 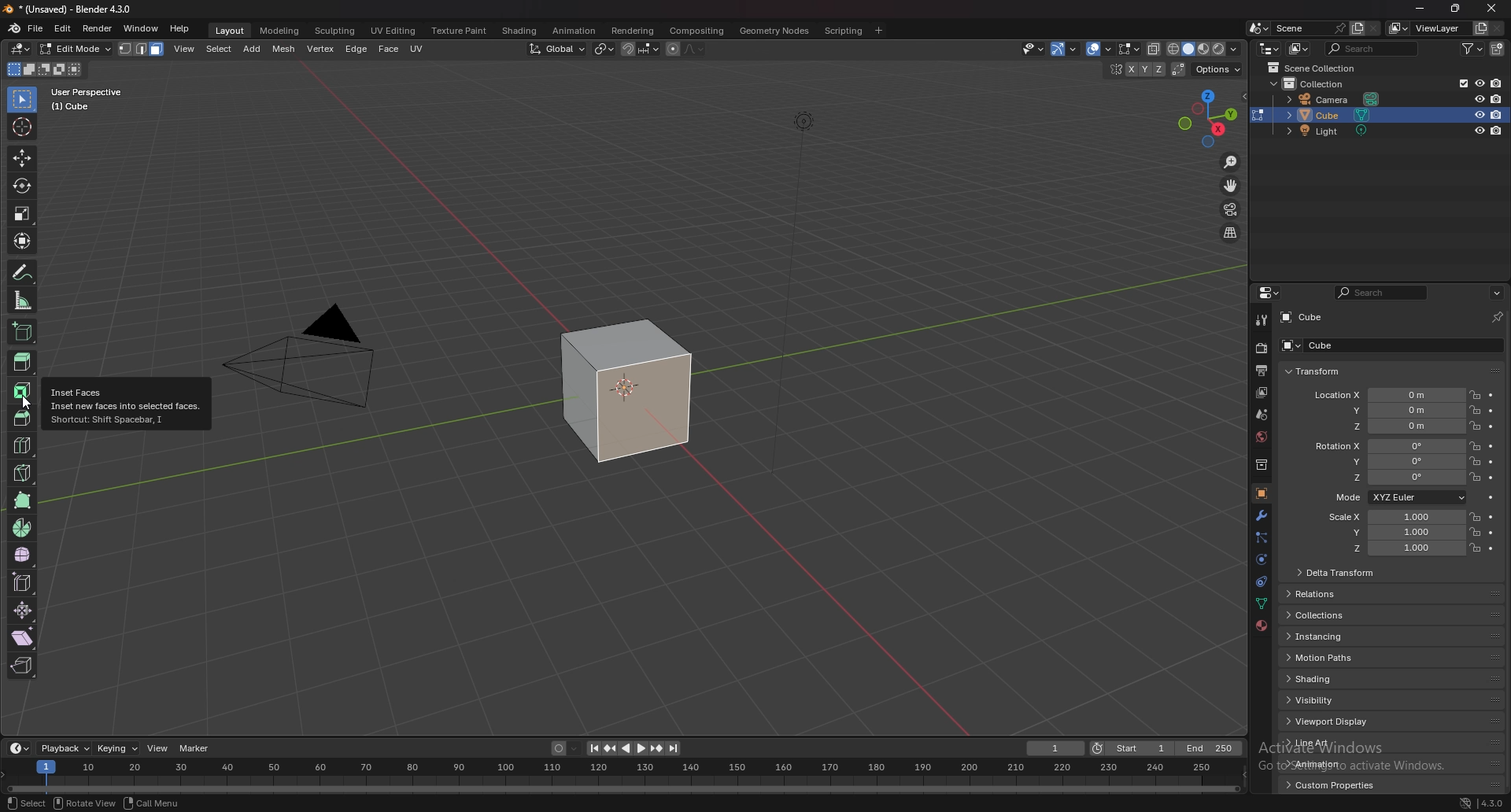 What do you see at coordinates (1454, 9) in the screenshot?
I see `resize` at bounding box center [1454, 9].